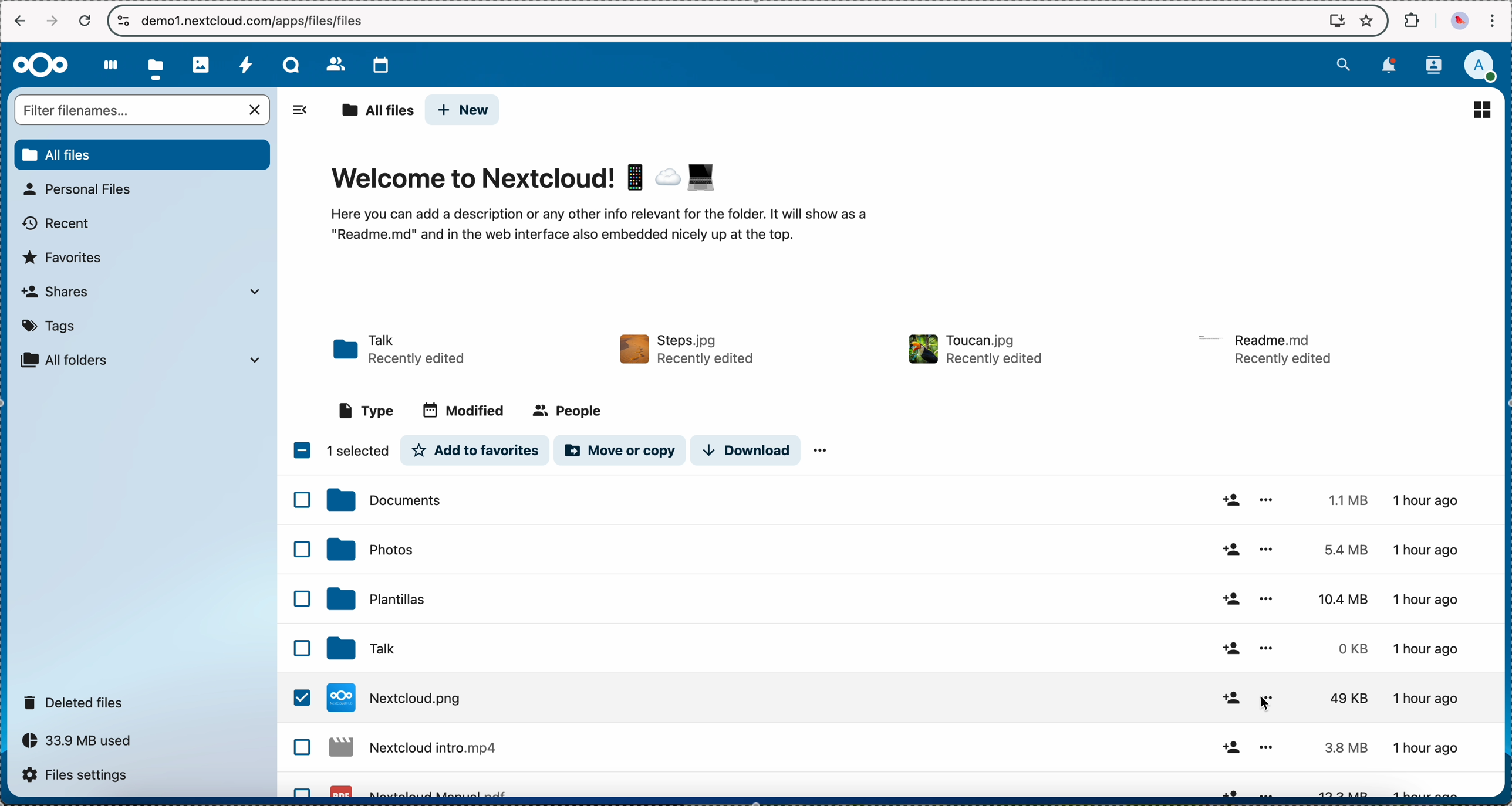 This screenshot has width=1512, height=806. I want to click on mouse on more options, so click(1269, 706).